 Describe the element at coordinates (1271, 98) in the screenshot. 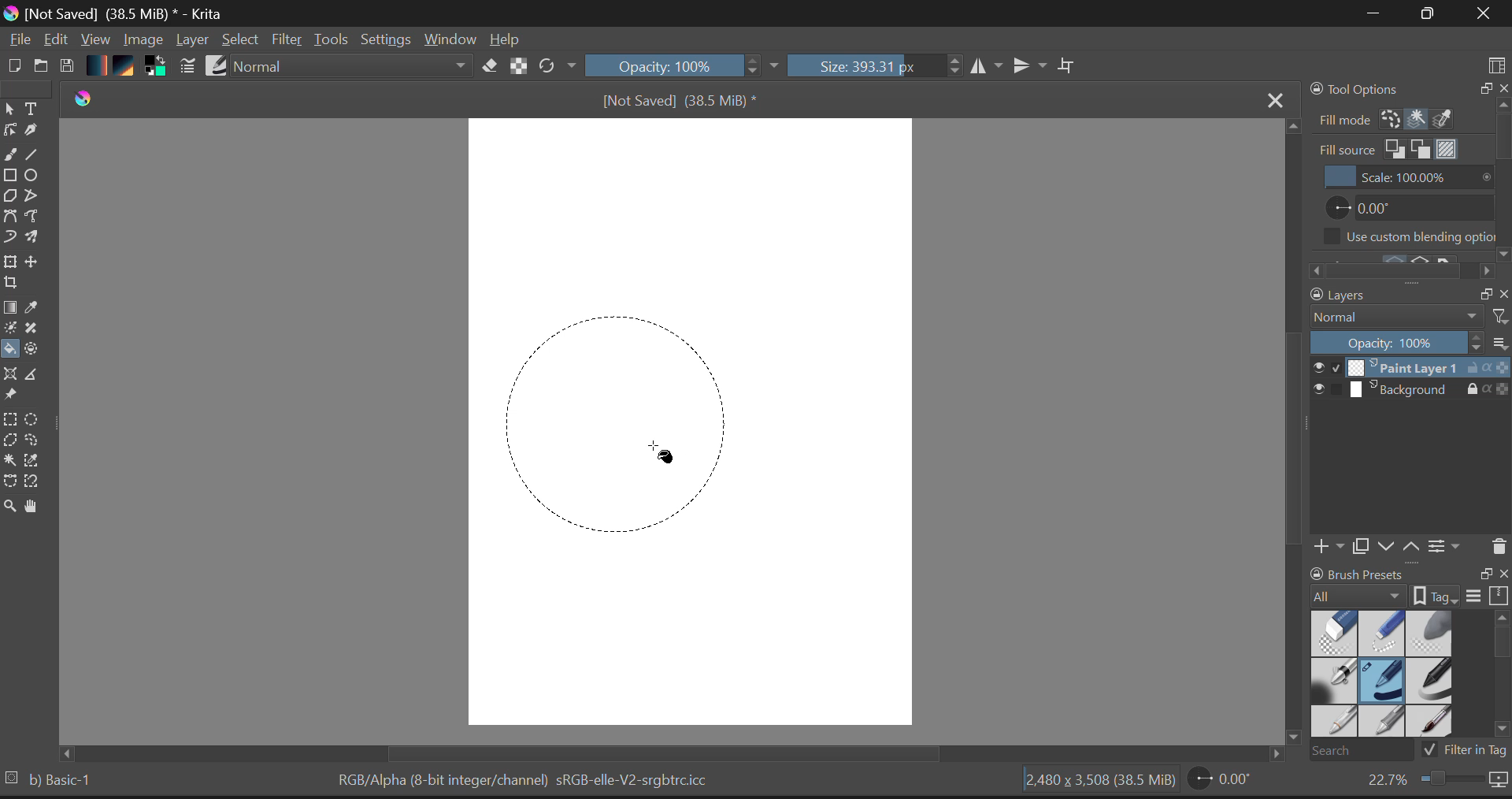

I see `Close` at that location.